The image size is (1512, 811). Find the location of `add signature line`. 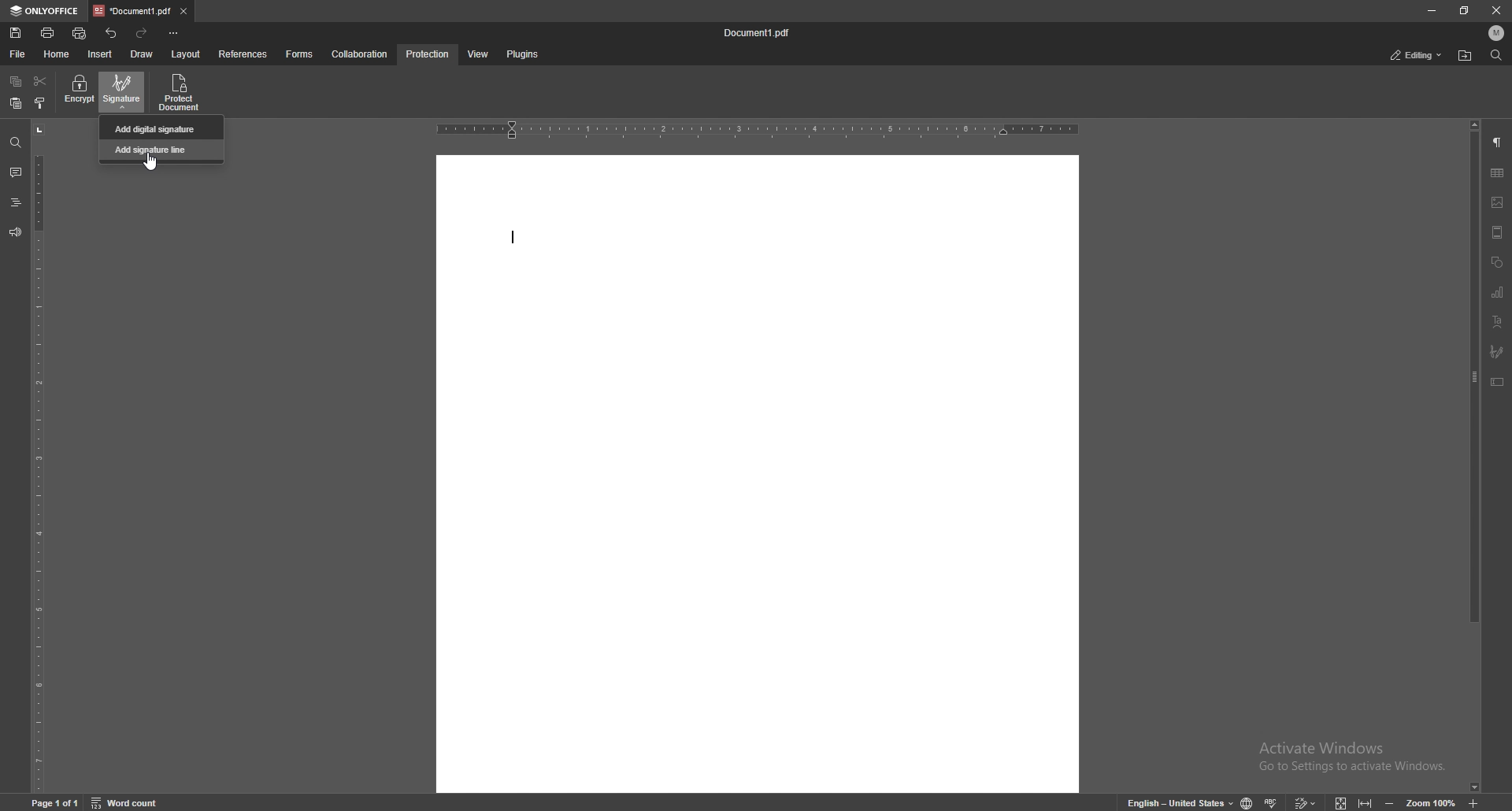

add signature line is located at coordinates (162, 149).